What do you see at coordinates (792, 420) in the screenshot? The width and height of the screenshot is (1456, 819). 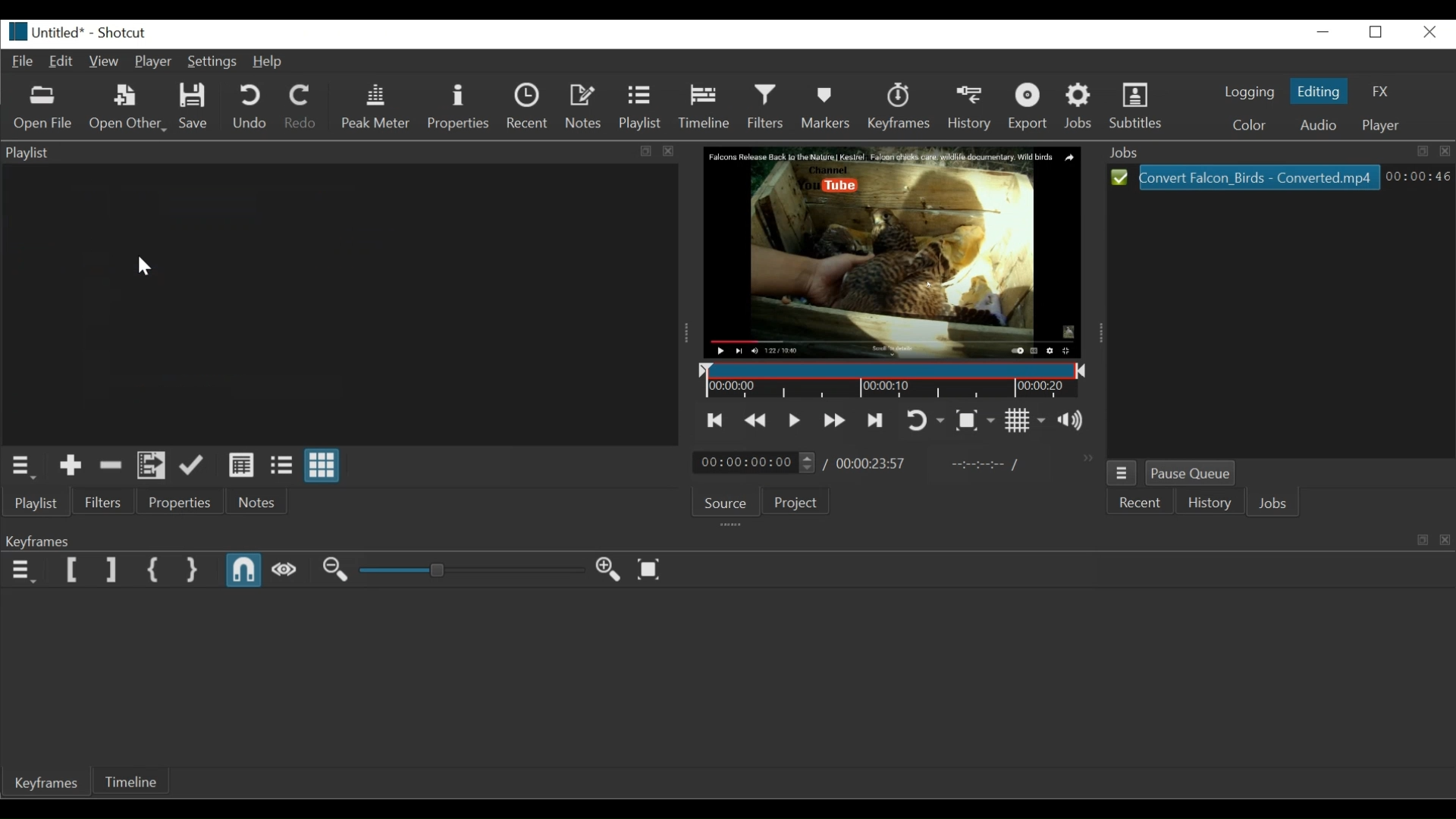 I see `Toggle play or pause` at bounding box center [792, 420].